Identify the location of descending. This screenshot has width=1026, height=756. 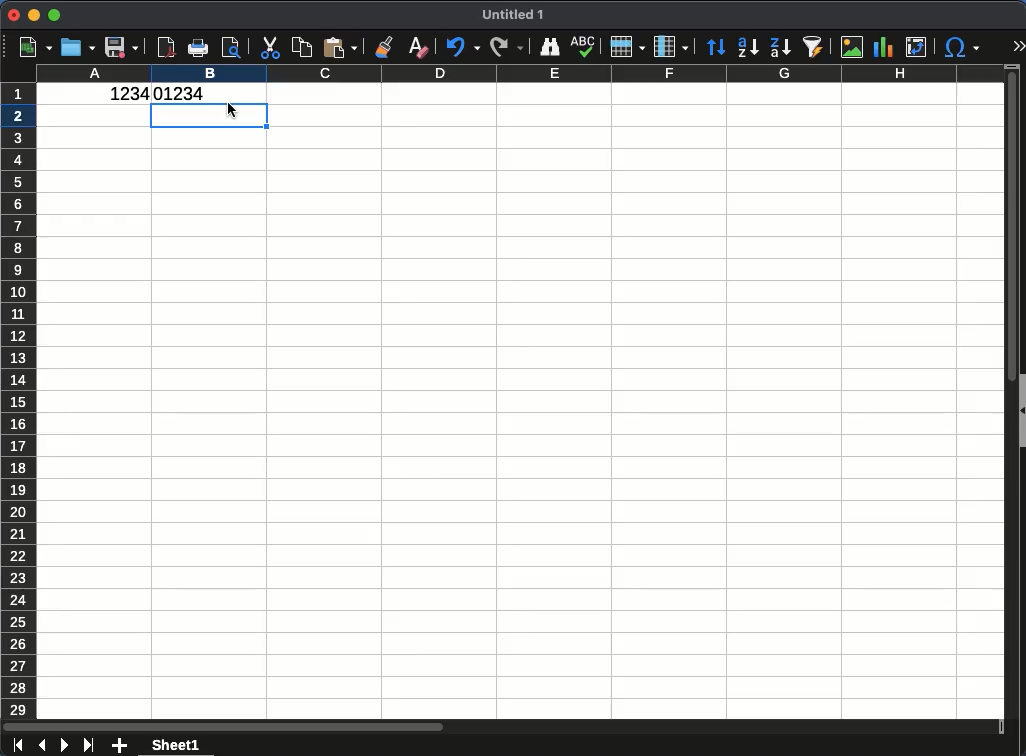
(780, 48).